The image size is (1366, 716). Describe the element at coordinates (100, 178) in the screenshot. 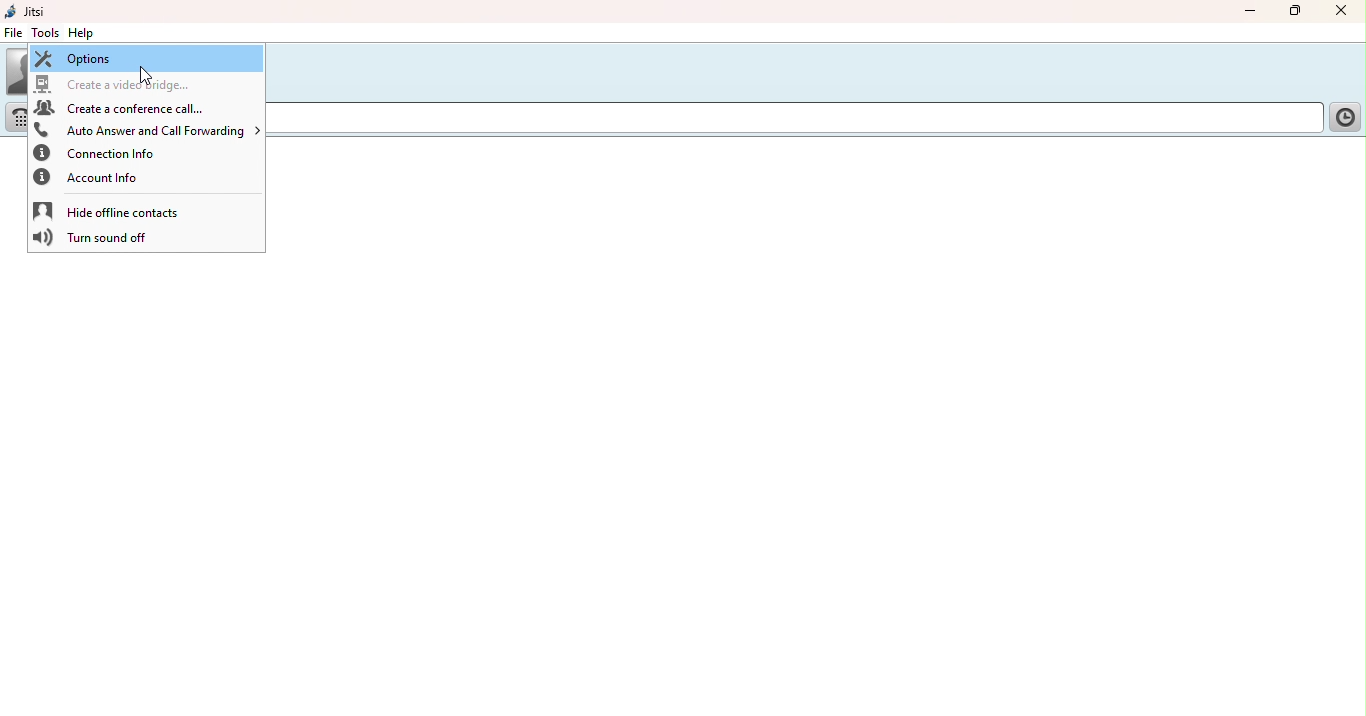

I see `Account Info` at that location.